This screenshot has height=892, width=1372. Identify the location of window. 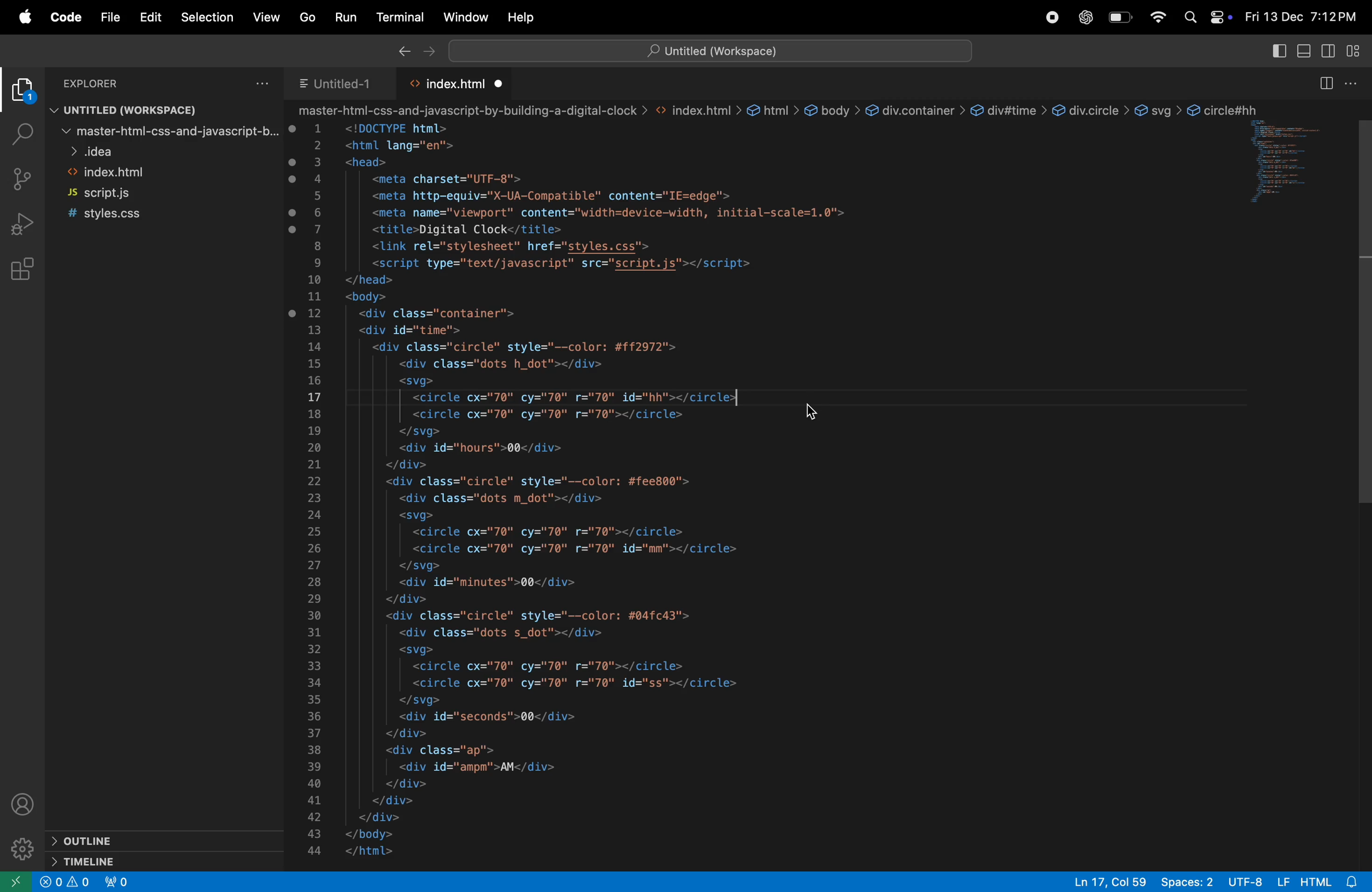
(464, 17).